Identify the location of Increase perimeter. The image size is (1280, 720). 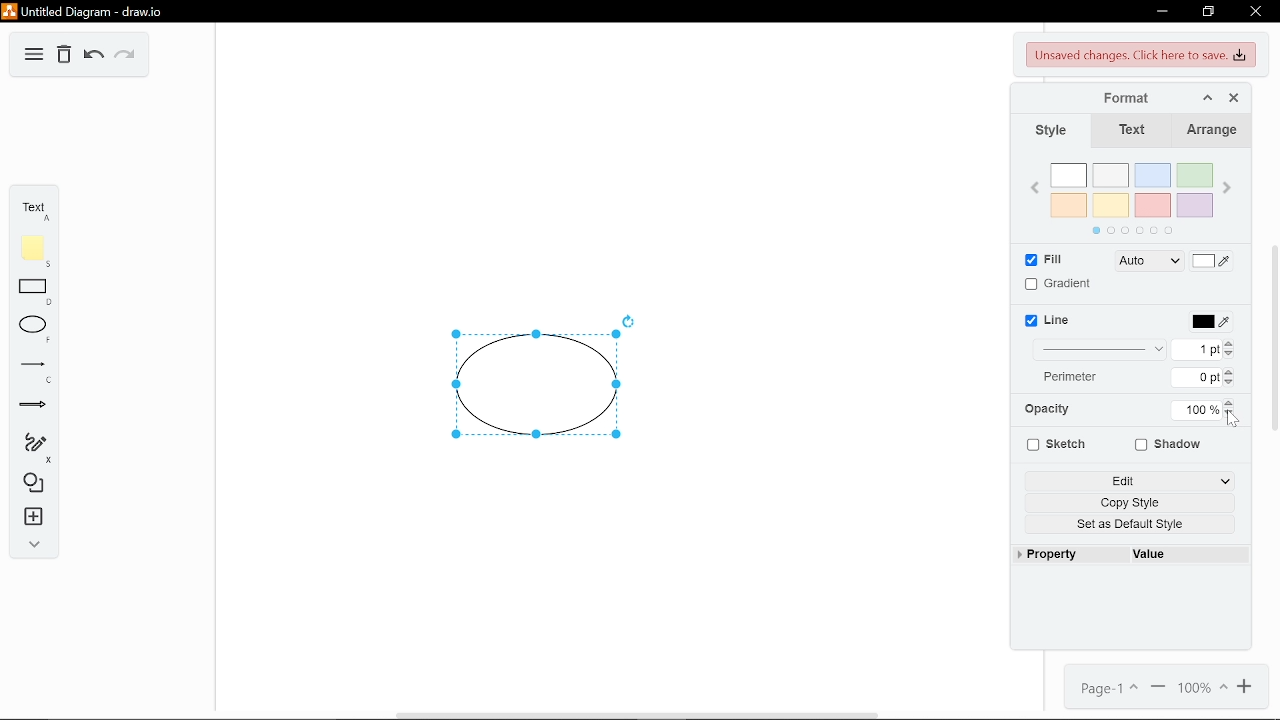
(1230, 372).